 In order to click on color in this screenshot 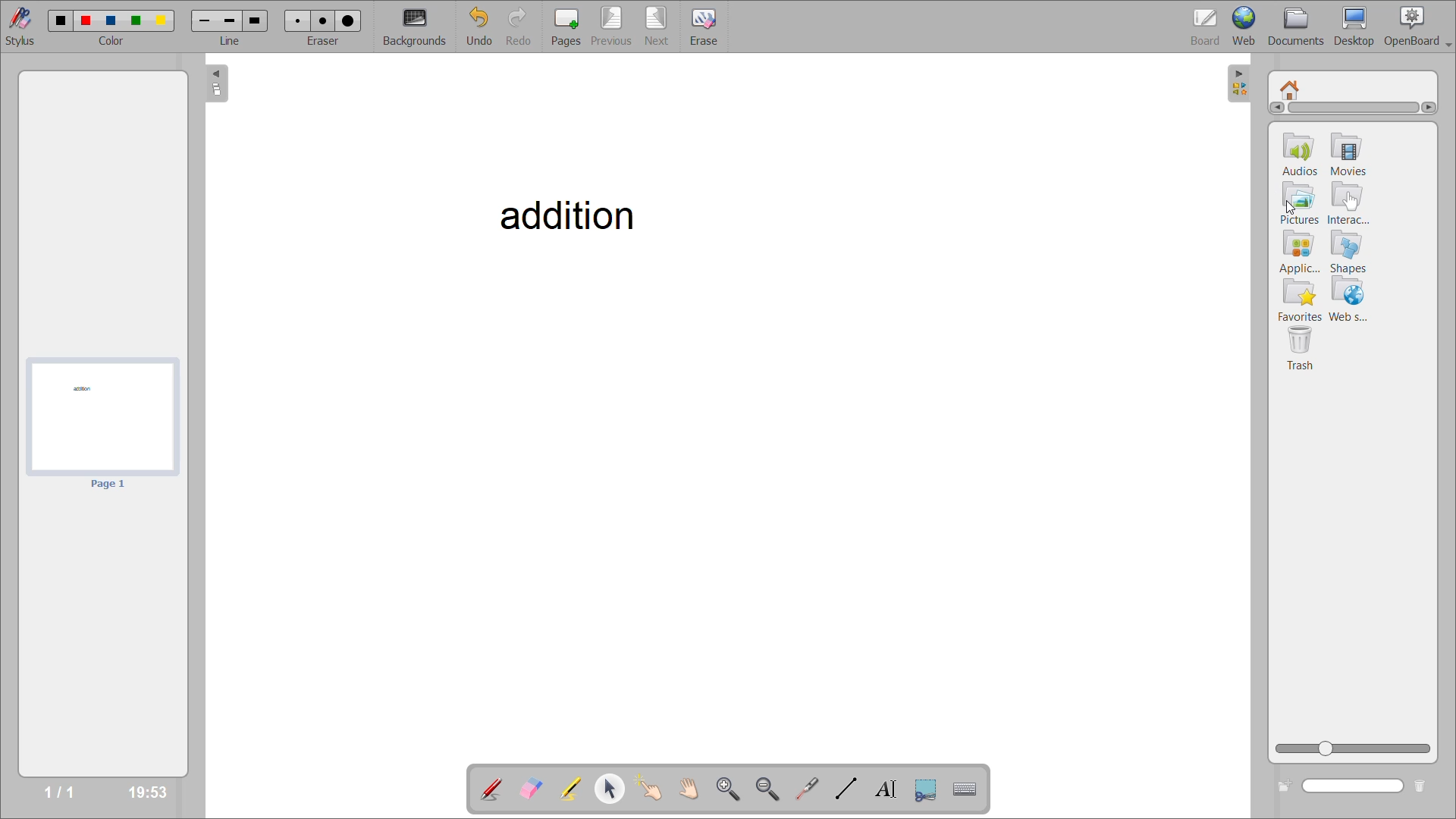, I will do `click(112, 37)`.